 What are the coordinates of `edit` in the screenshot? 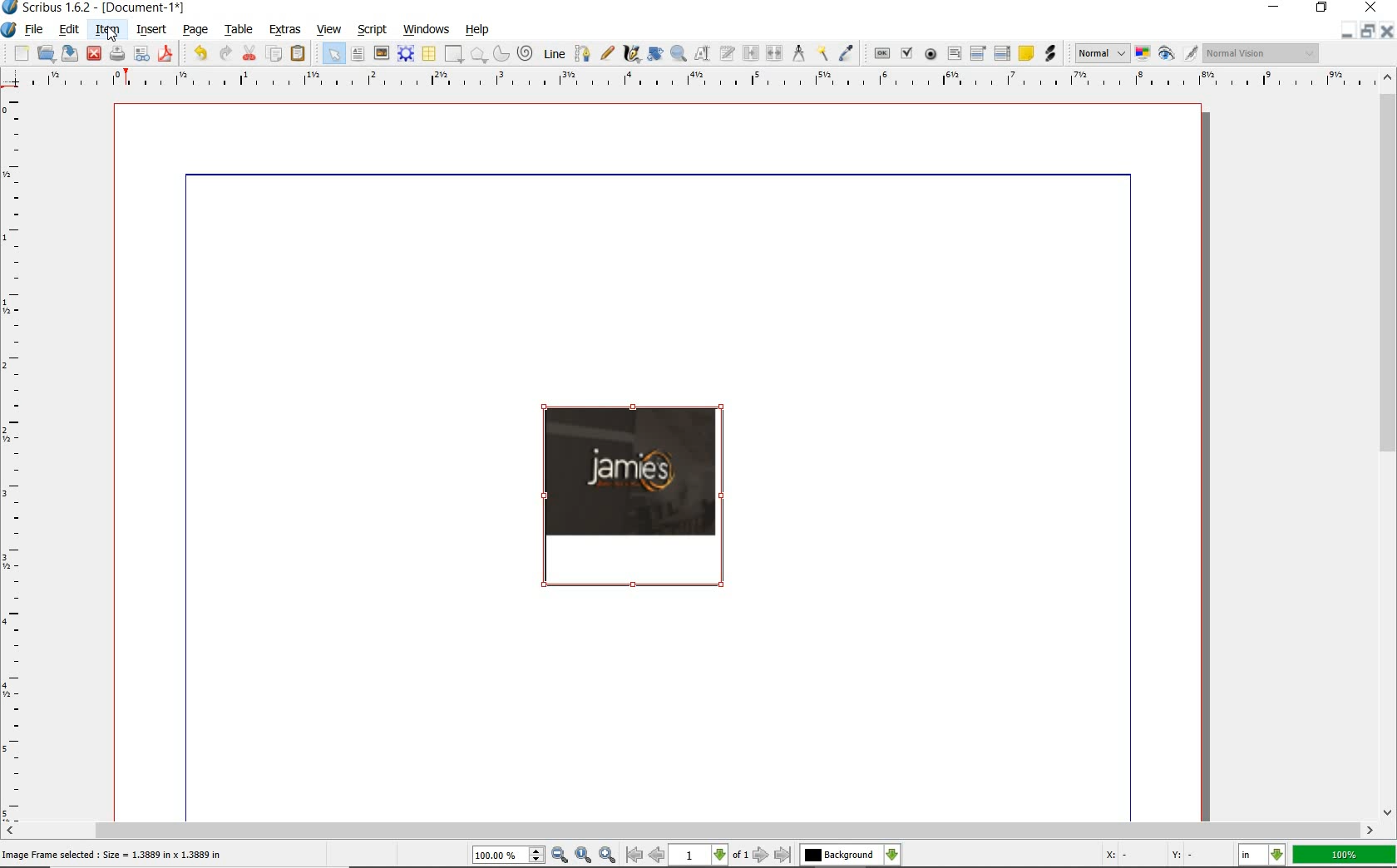 It's located at (70, 30).